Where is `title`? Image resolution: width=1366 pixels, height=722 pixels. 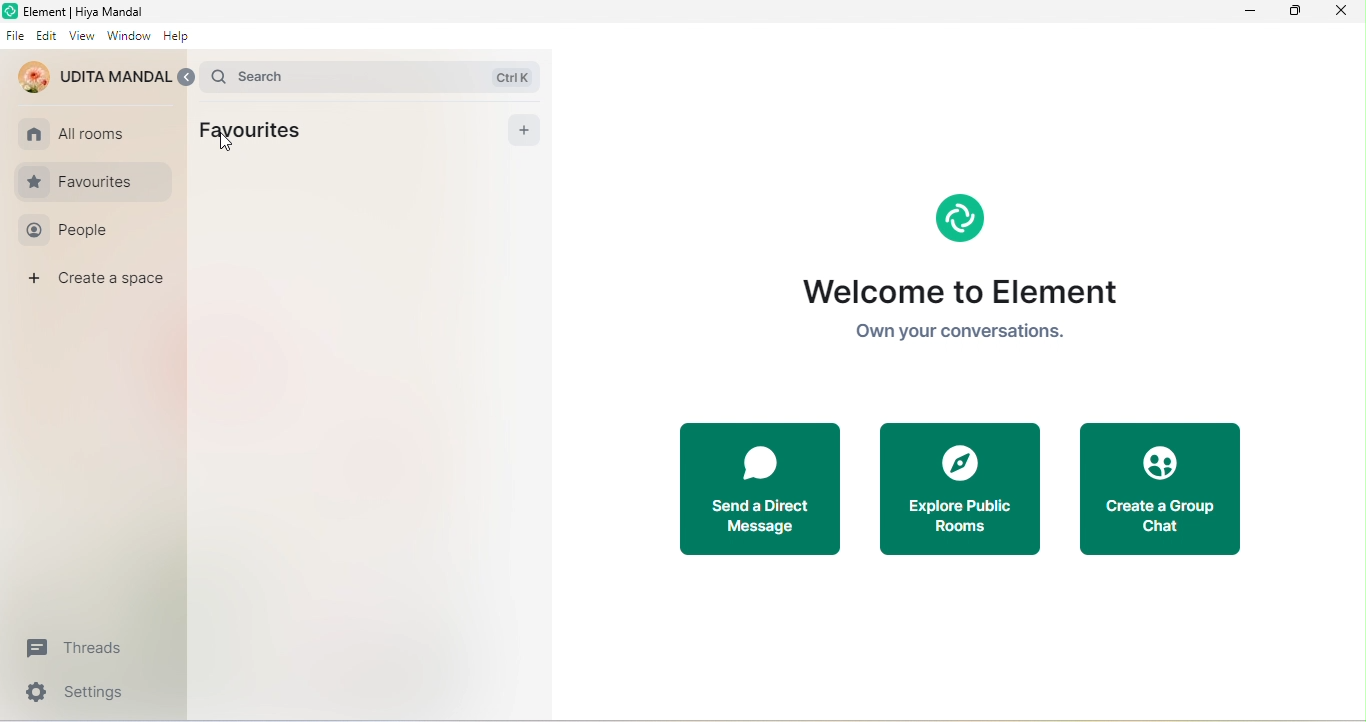 title is located at coordinates (78, 11).